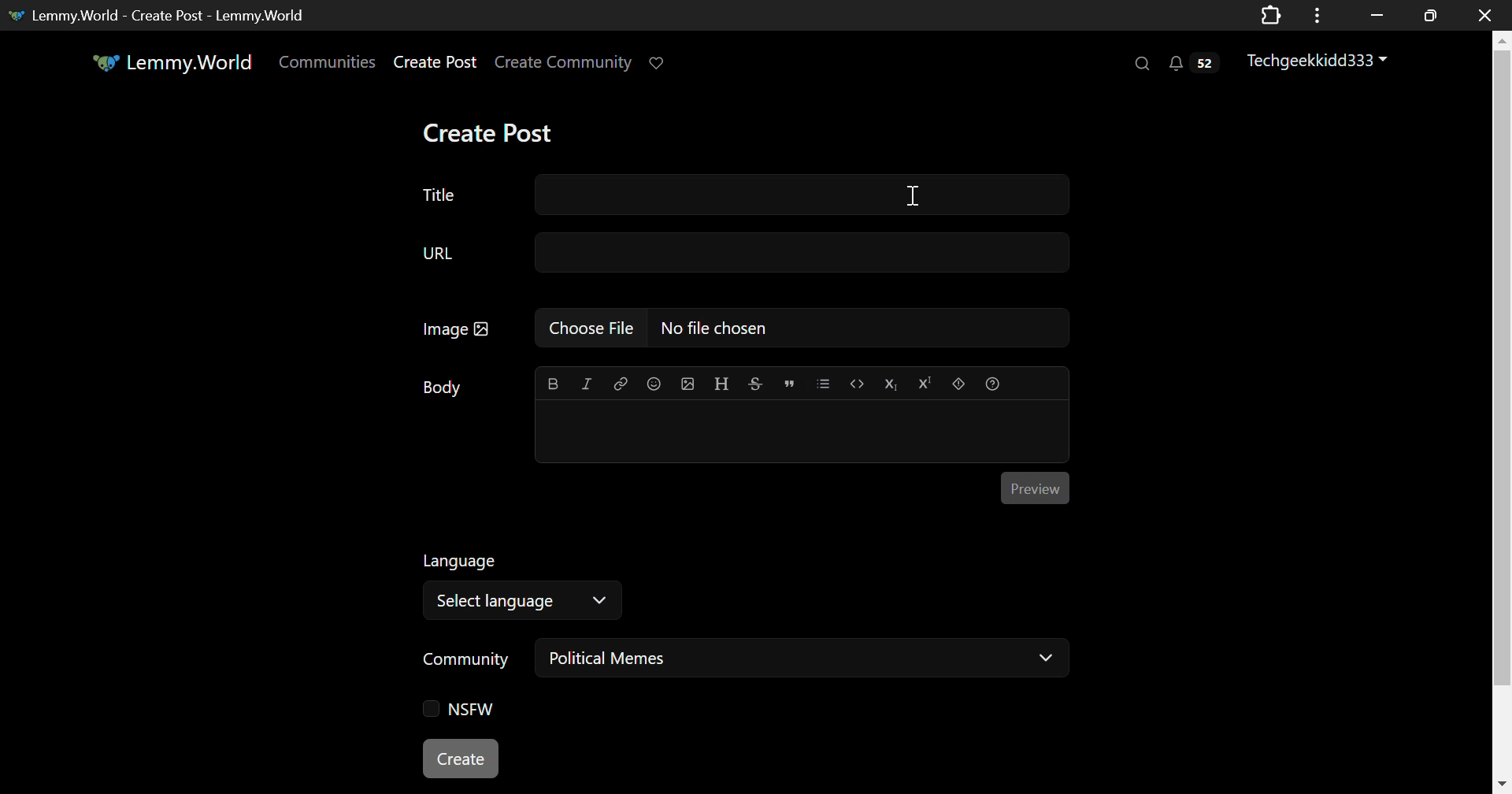 This screenshot has width=1512, height=794. I want to click on Create Community Page Link, so click(564, 61).